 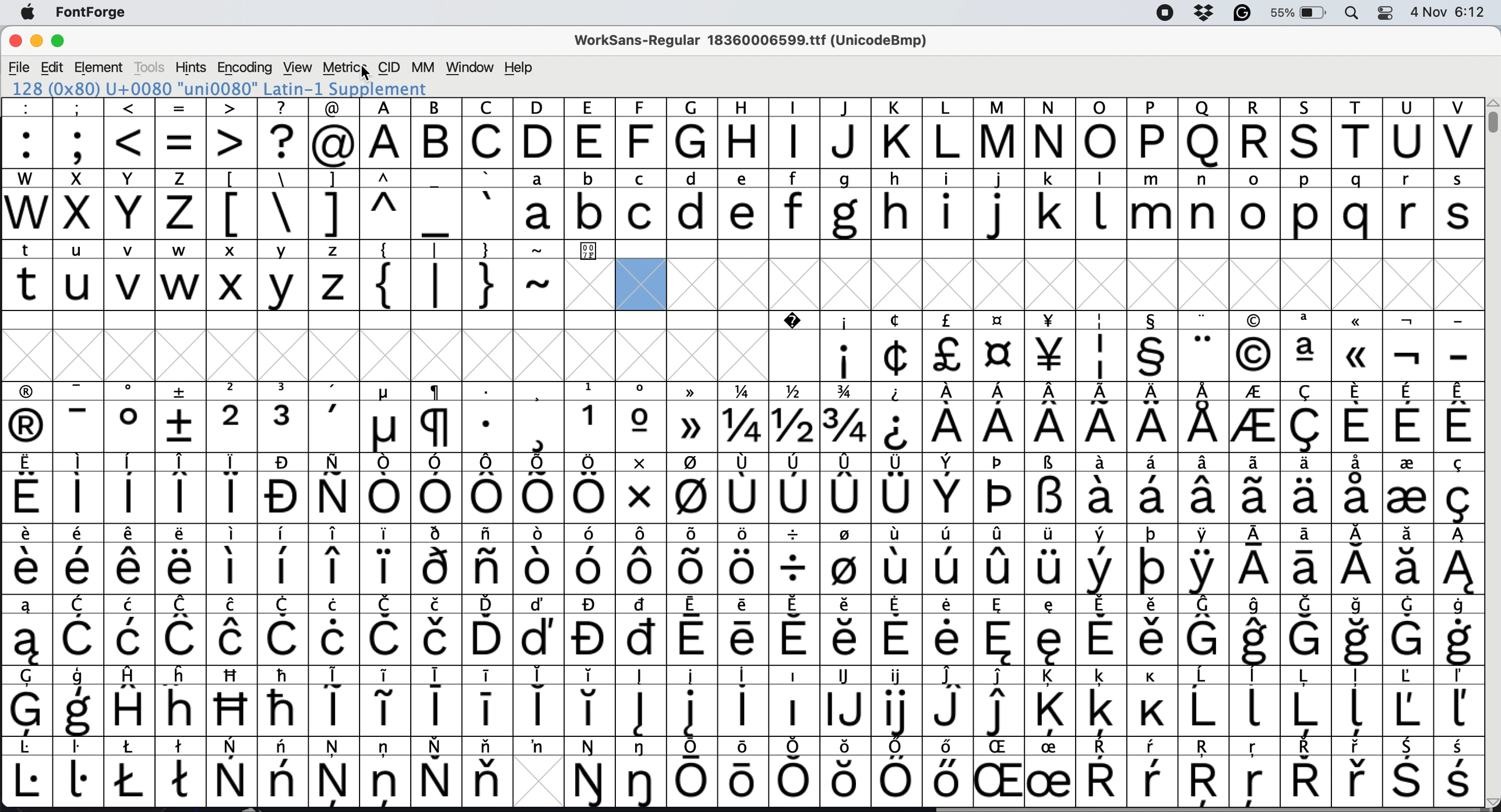 I want to click on special characters, so click(x=741, y=390).